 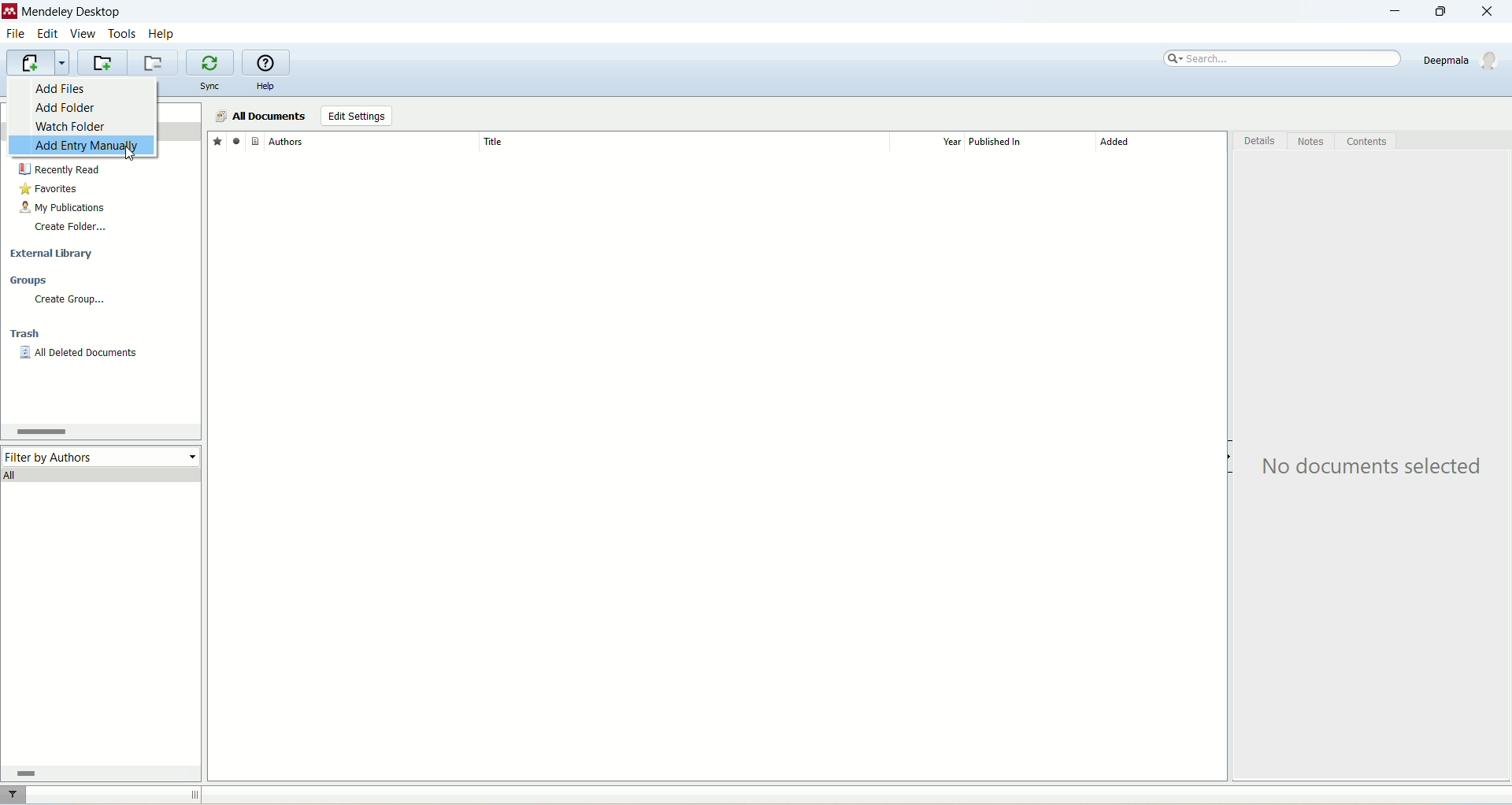 I want to click on document, so click(x=255, y=140).